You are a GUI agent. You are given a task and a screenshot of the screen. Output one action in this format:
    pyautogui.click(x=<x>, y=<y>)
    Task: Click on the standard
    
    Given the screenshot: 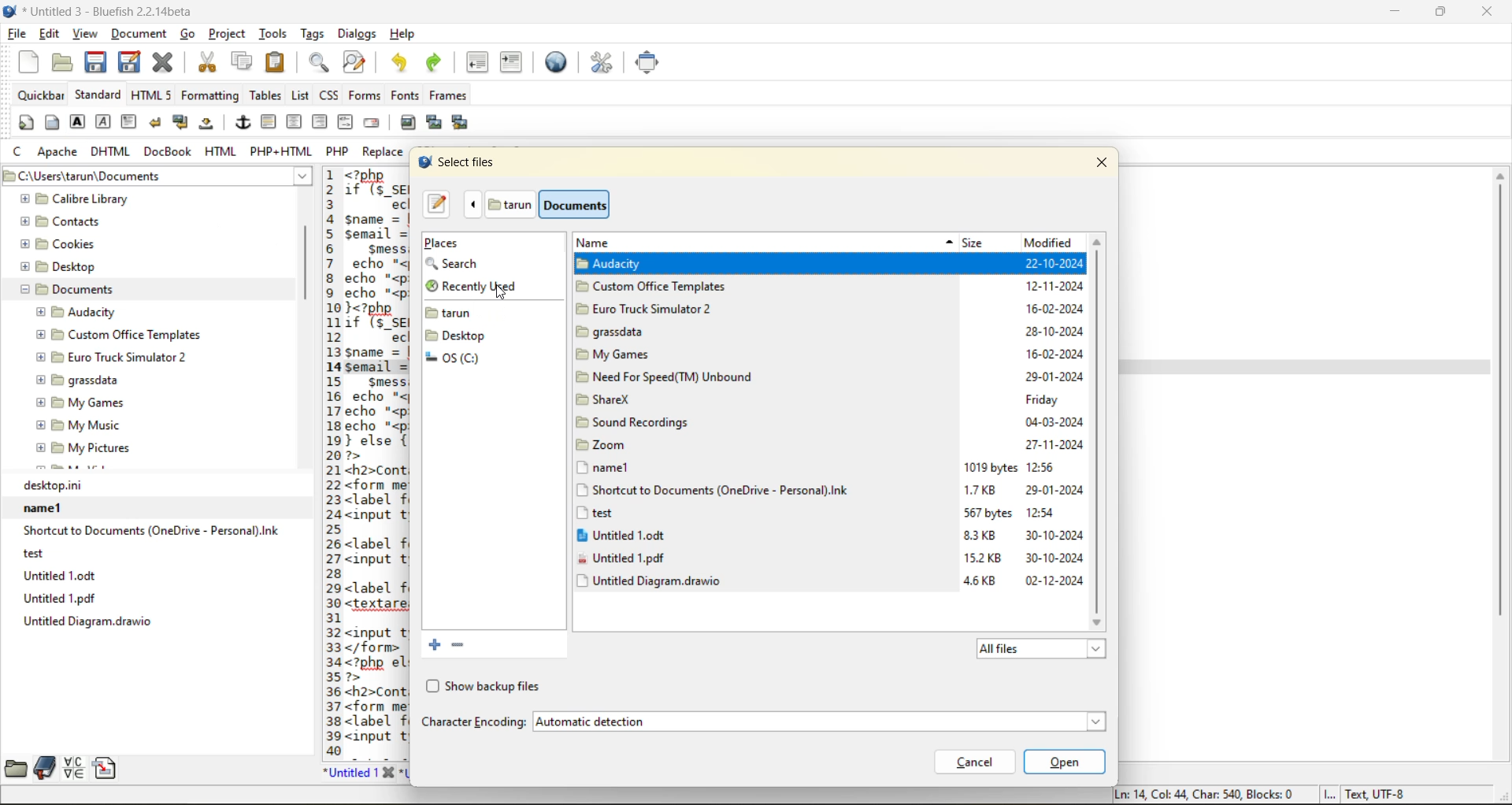 What is the action you would take?
    pyautogui.click(x=98, y=95)
    